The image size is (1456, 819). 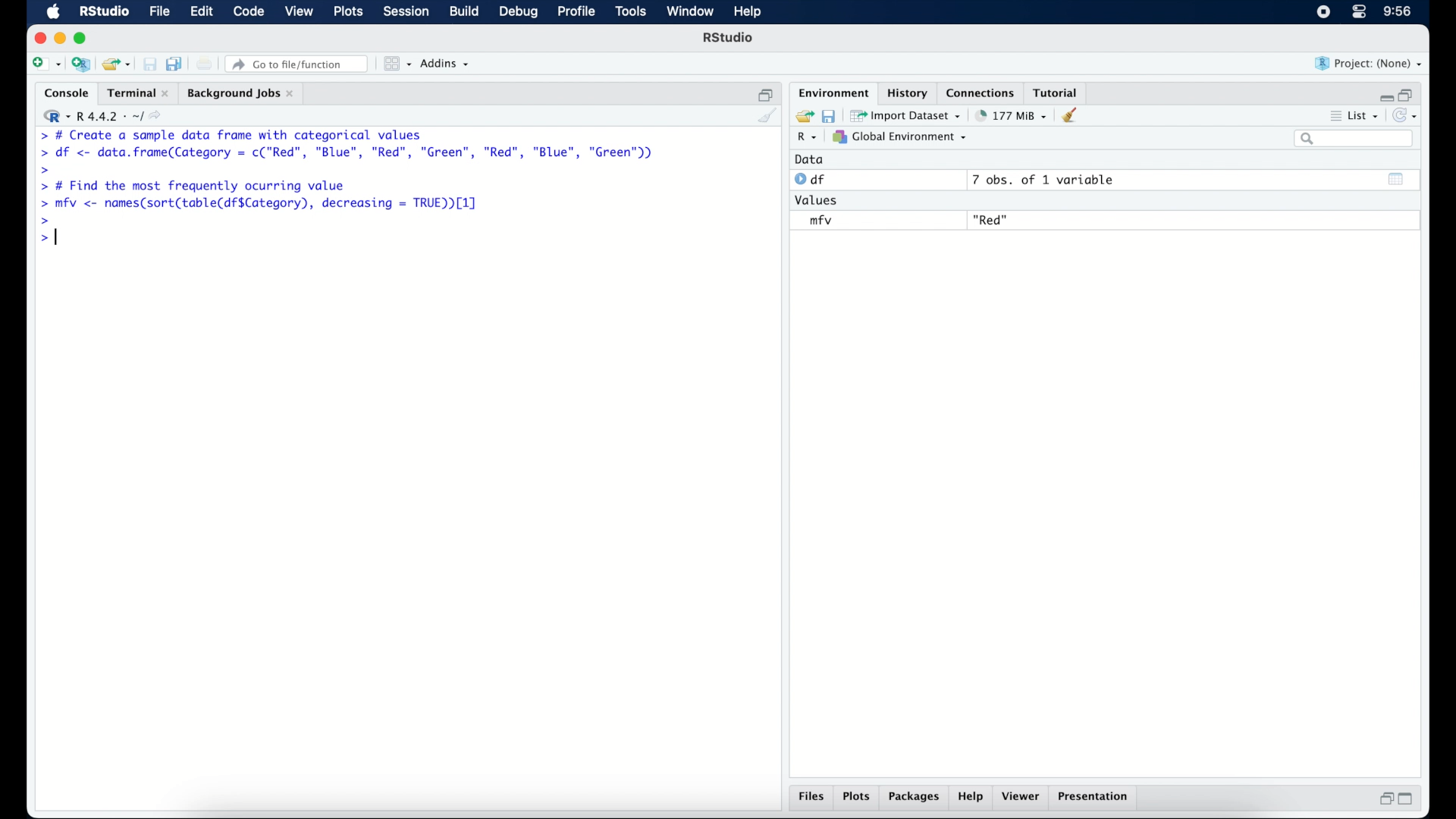 What do you see at coordinates (907, 115) in the screenshot?
I see `import dataset` at bounding box center [907, 115].